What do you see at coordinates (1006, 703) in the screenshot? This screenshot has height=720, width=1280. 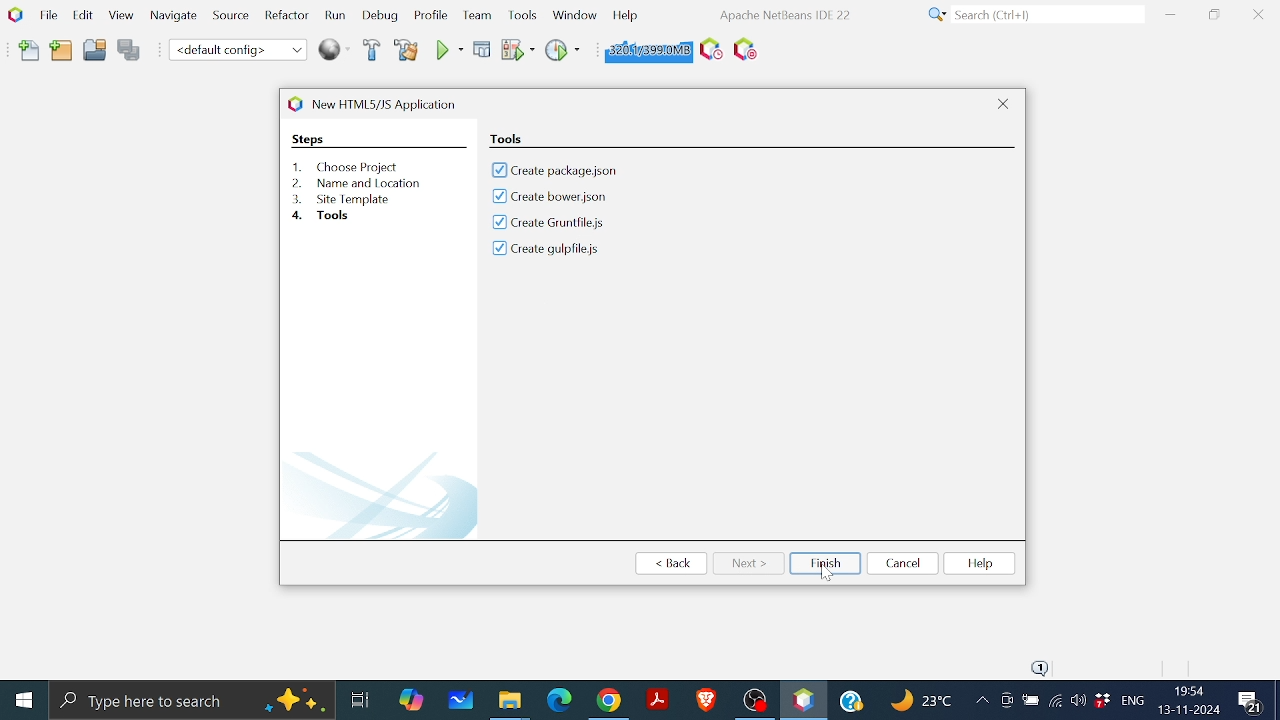 I see `Meet now` at bounding box center [1006, 703].